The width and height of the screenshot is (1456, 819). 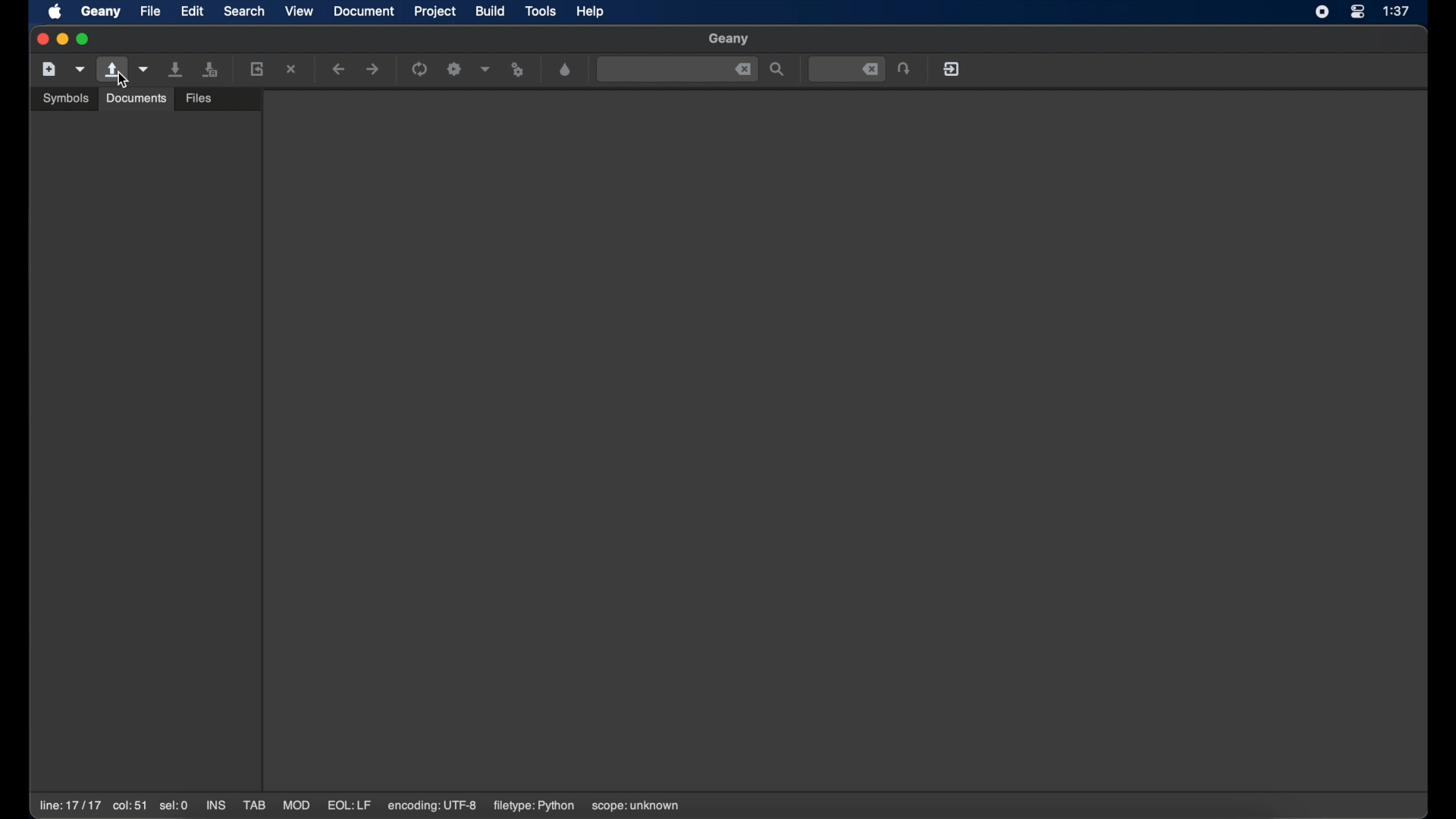 What do you see at coordinates (49, 68) in the screenshot?
I see `new file` at bounding box center [49, 68].